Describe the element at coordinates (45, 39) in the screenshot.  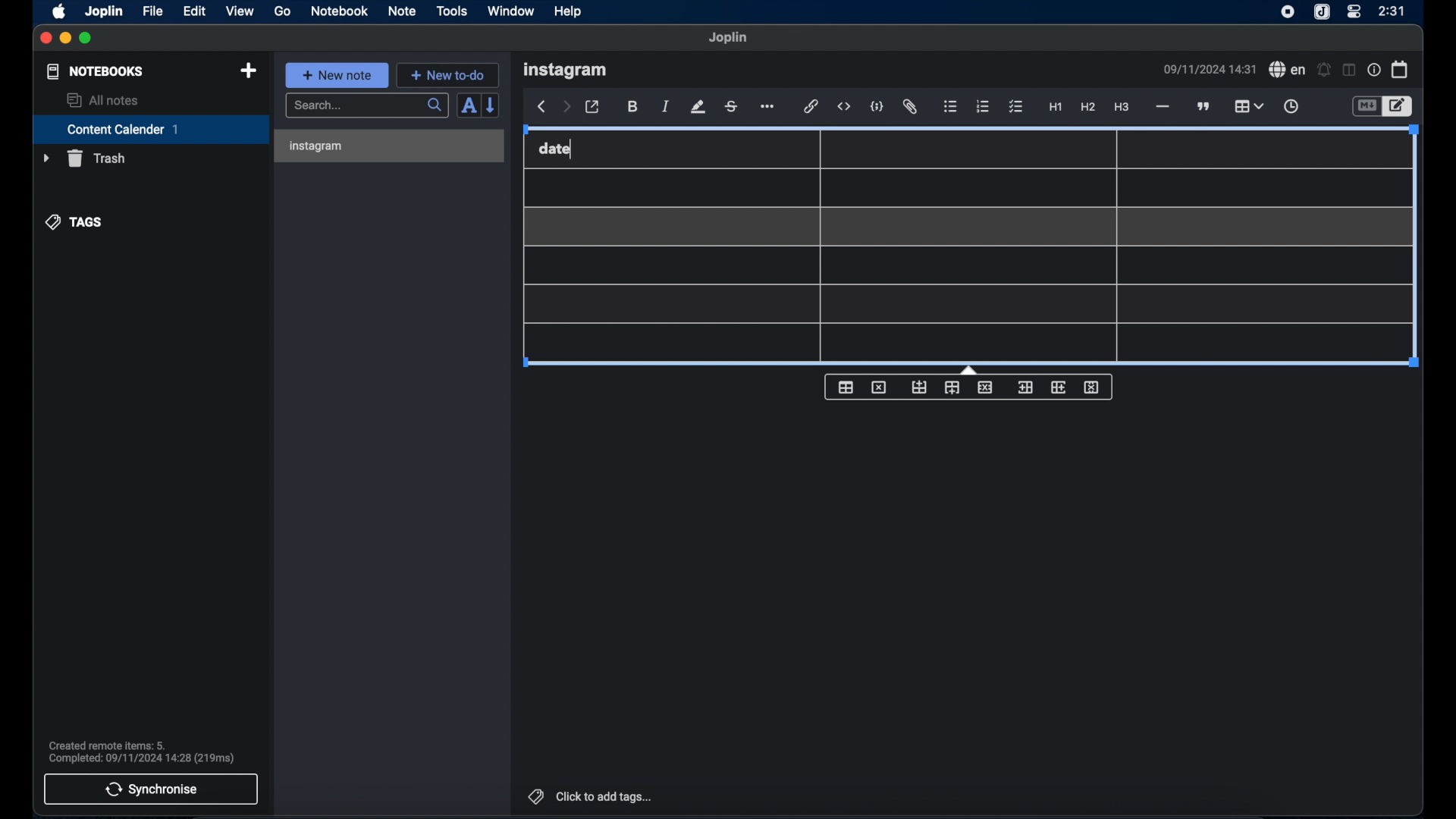
I see `close` at that location.